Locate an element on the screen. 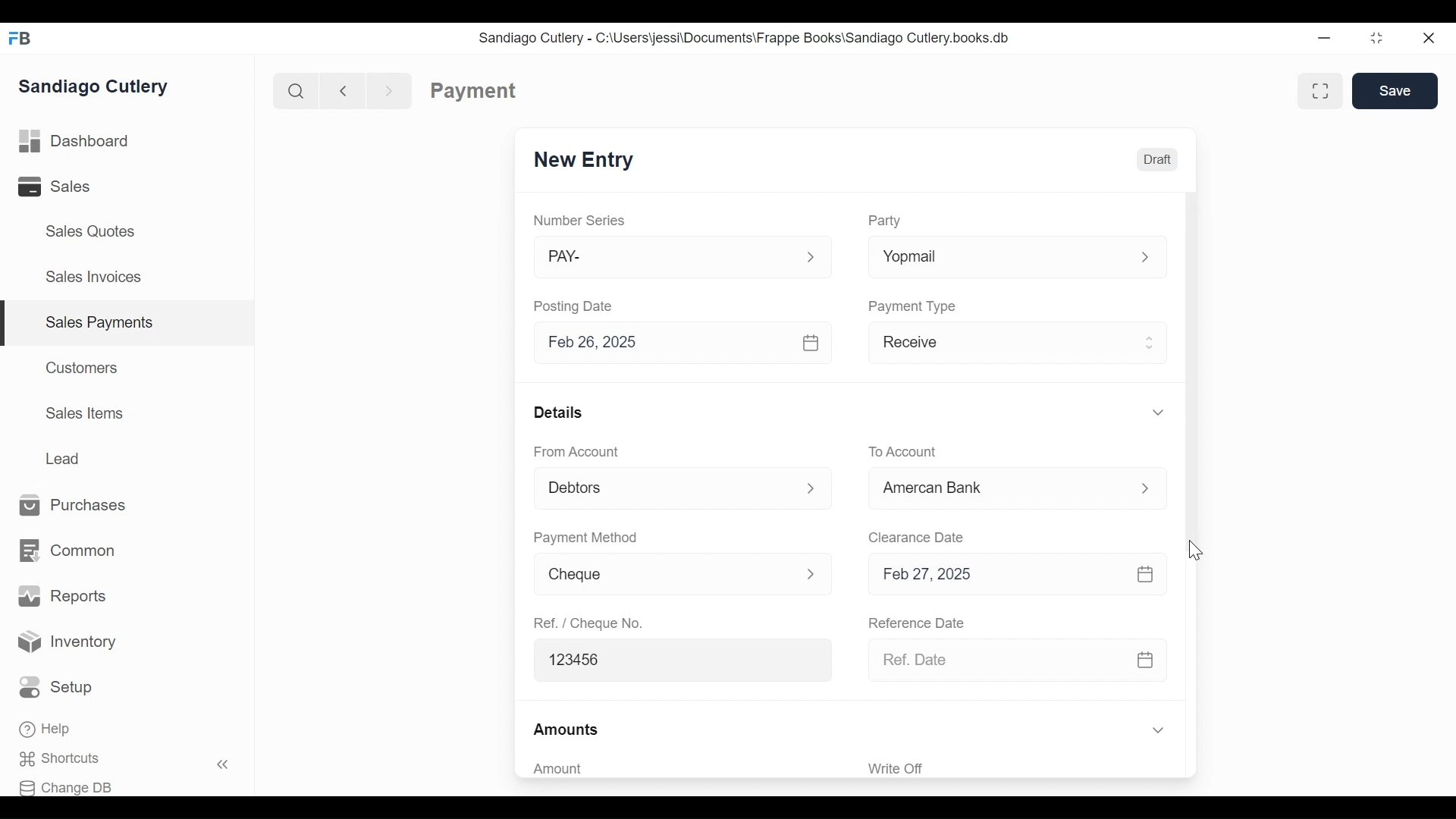 Image resolution: width=1456 pixels, height=819 pixels. Purchases is located at coordinates (74, 506).